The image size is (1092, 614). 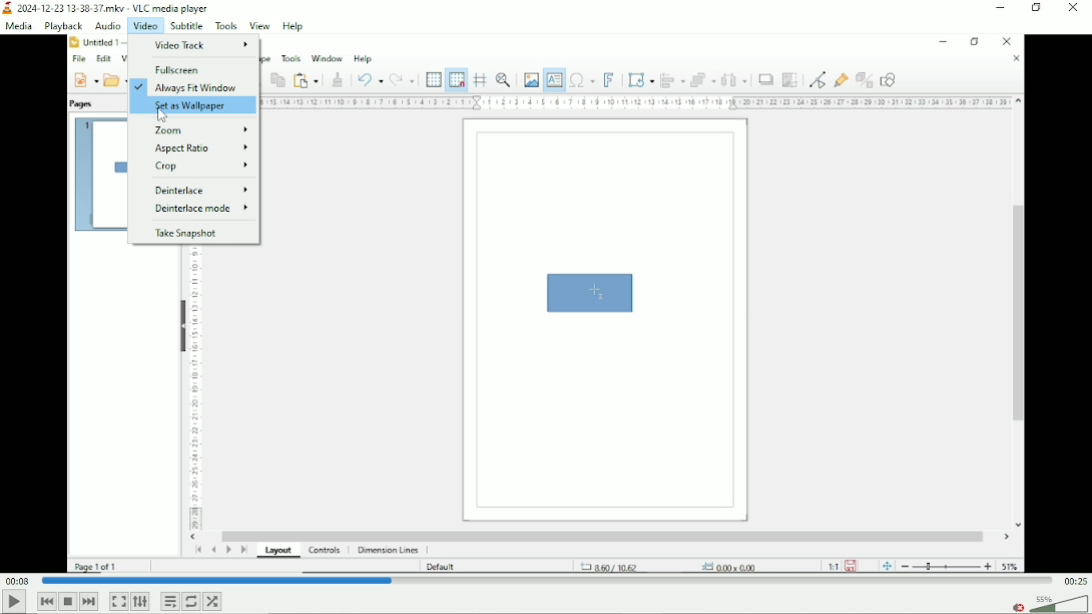 I want to click on Fullscreen, so click(x=176, y=68).